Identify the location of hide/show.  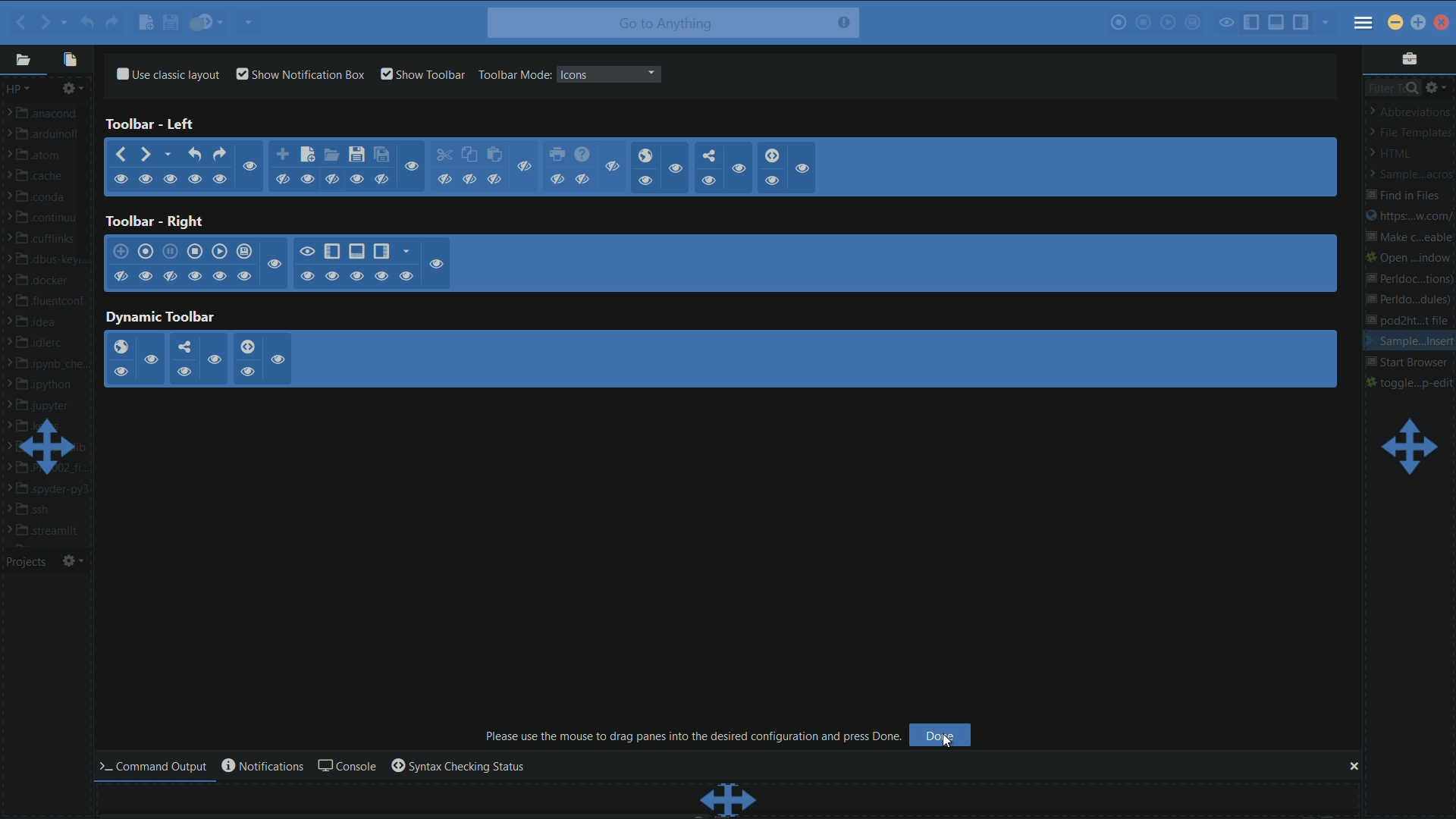
(381, 275).